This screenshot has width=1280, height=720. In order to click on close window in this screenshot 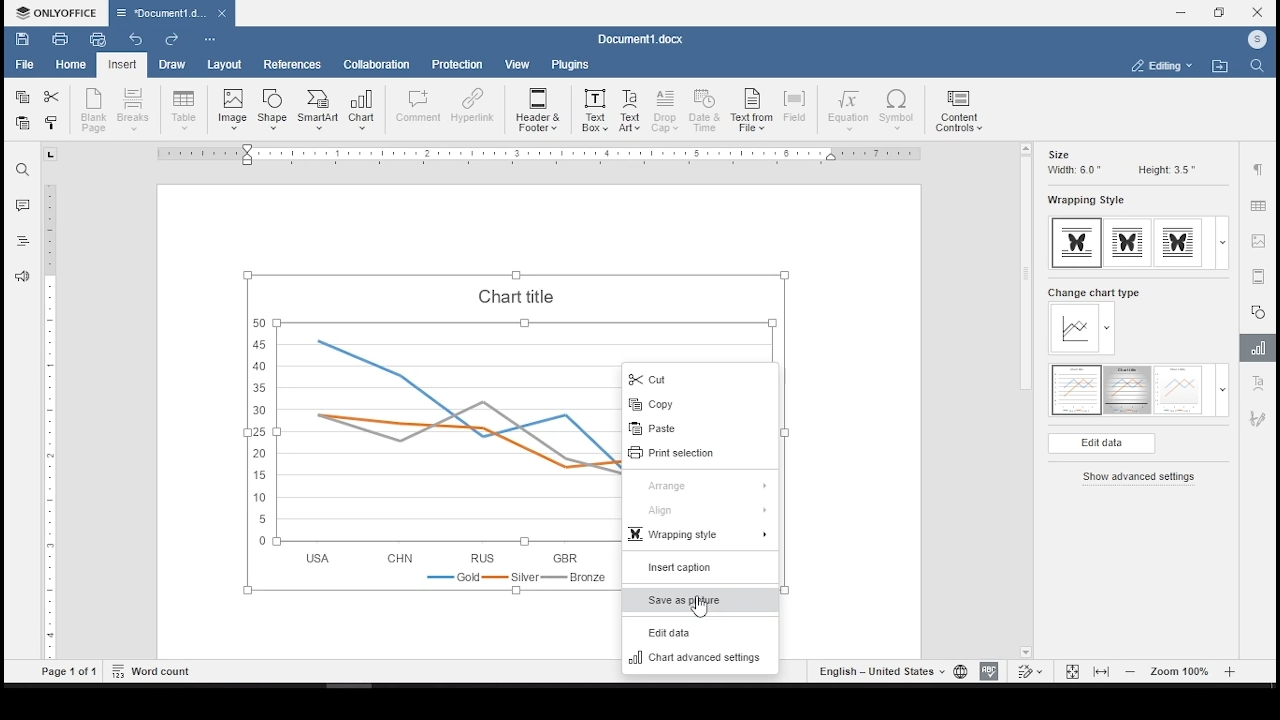, I will do `click(1258, 11)`.